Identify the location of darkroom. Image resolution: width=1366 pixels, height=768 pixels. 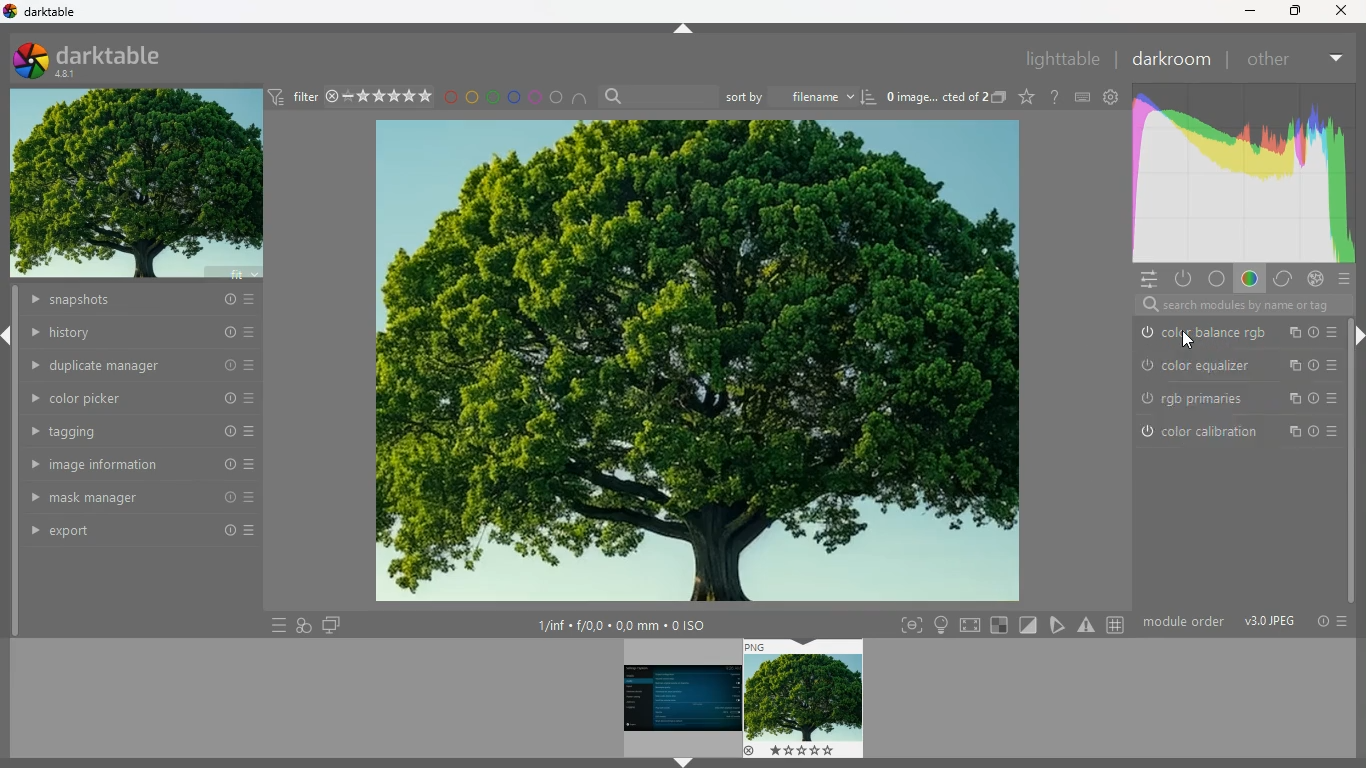
(1170, 59).